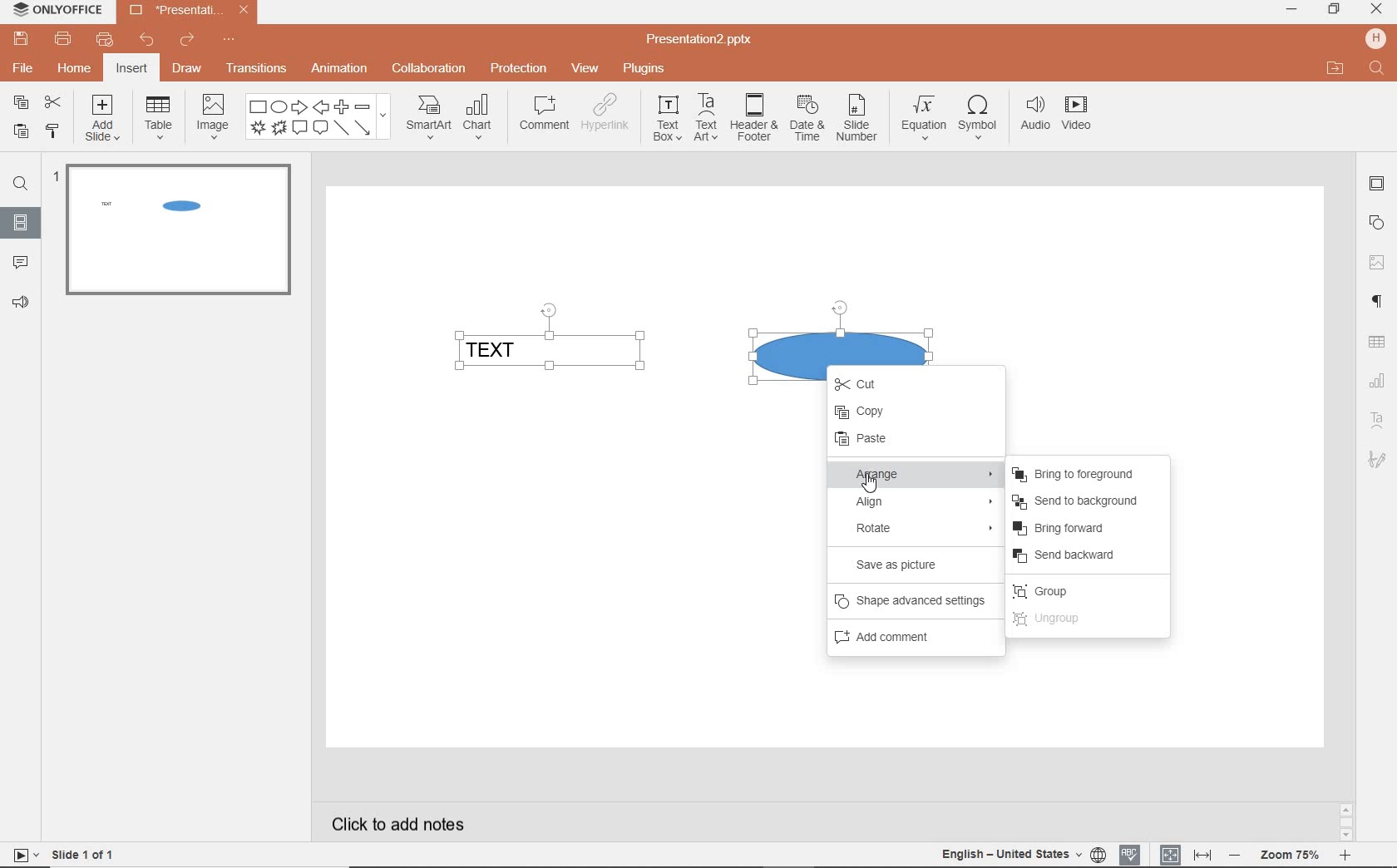 The height and width of the screenshot is (868, 1397). Describe the element at coordinates (1378, 220) in the screenshot. I see `SHAPE SETTINGS` at that location.